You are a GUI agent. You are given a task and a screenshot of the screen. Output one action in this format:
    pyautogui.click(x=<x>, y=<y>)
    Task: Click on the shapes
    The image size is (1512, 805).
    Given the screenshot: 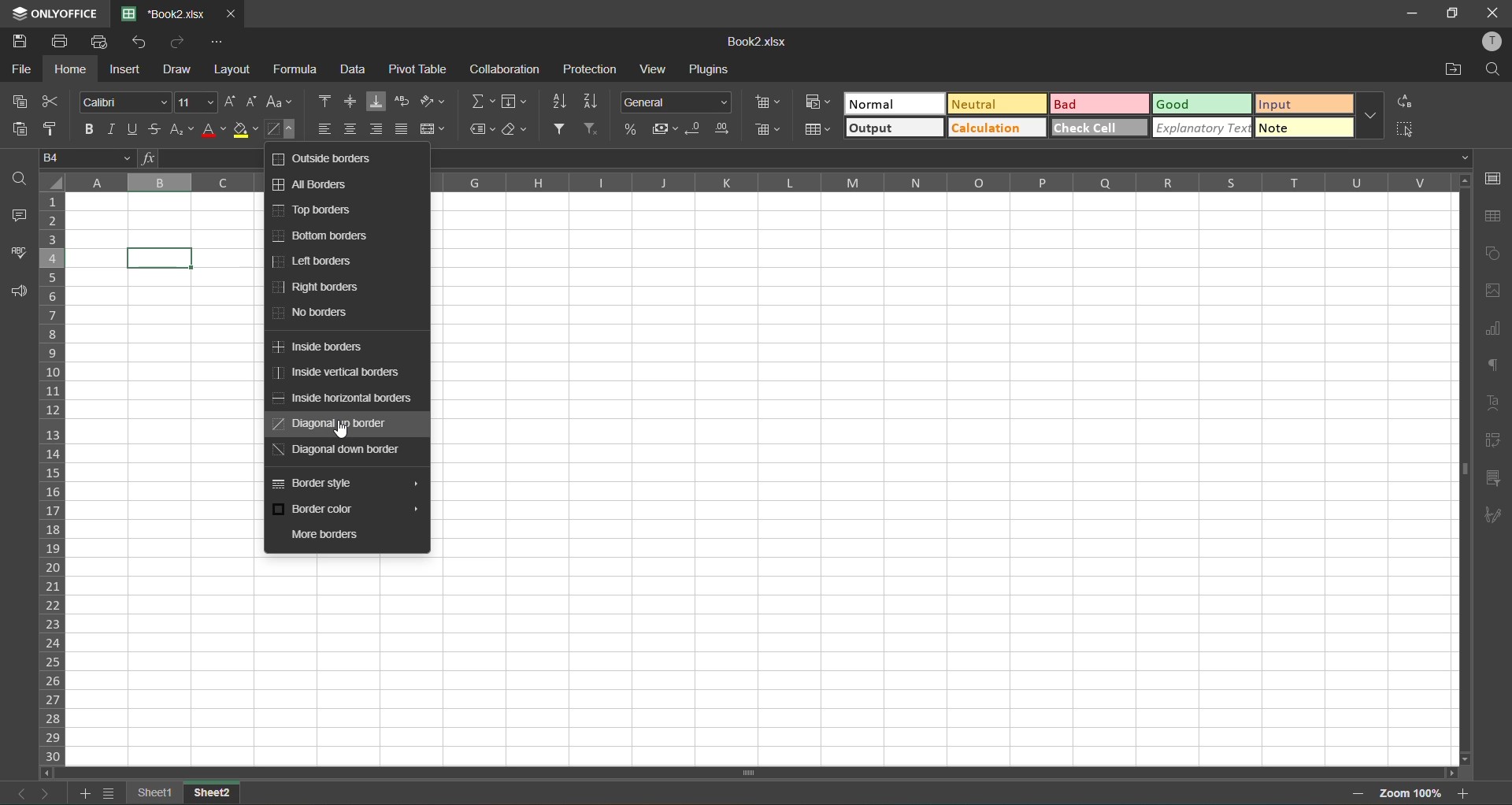 What is the action you would take?
    pyautogui.click(x=1494, y=255)
    